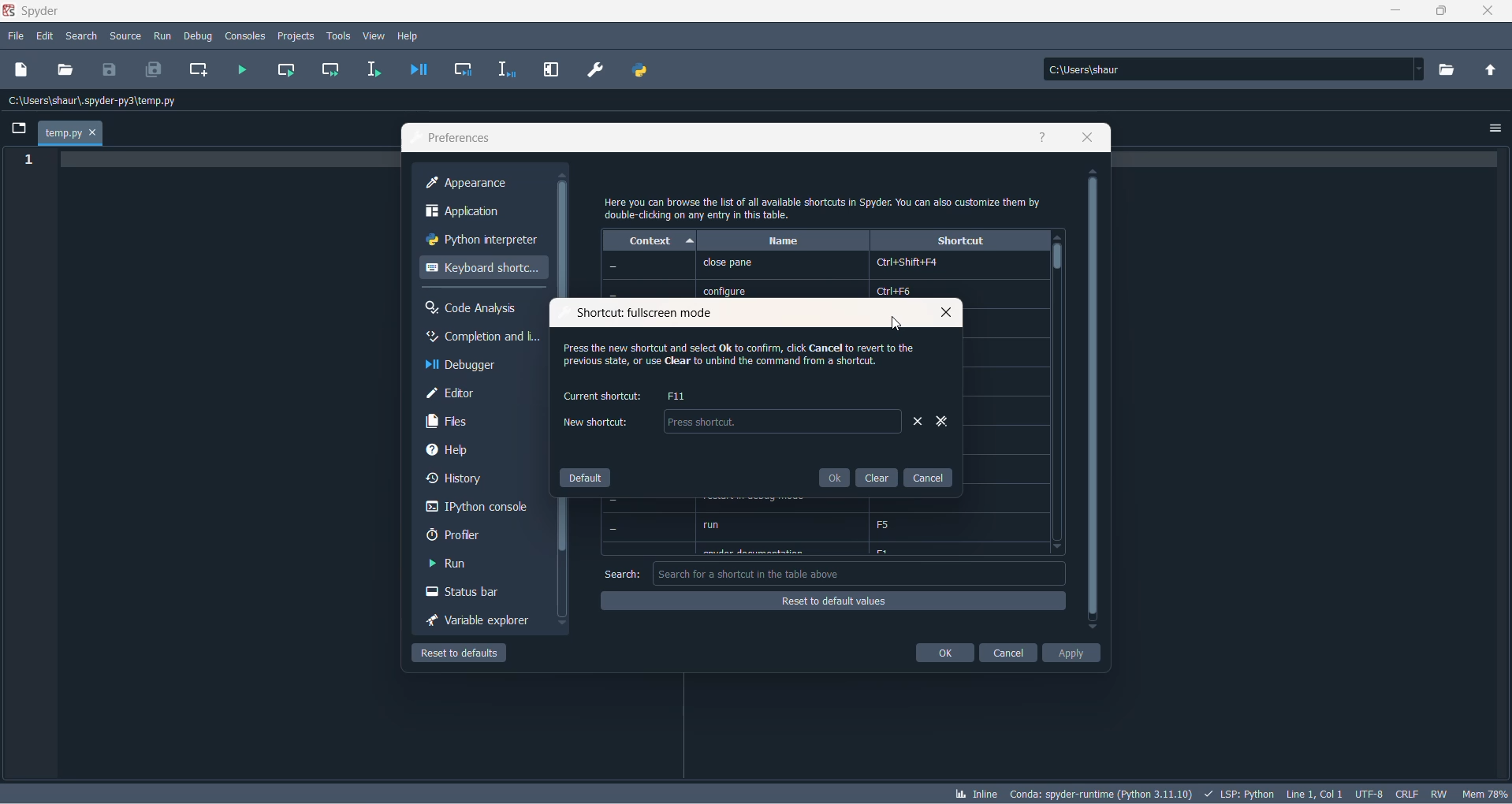 The height and width of the screenshot is (804, 1512). What do you see at coordinates (896, 326) in the screenshot?
I see `cursor` at bounding box center [896, 326].